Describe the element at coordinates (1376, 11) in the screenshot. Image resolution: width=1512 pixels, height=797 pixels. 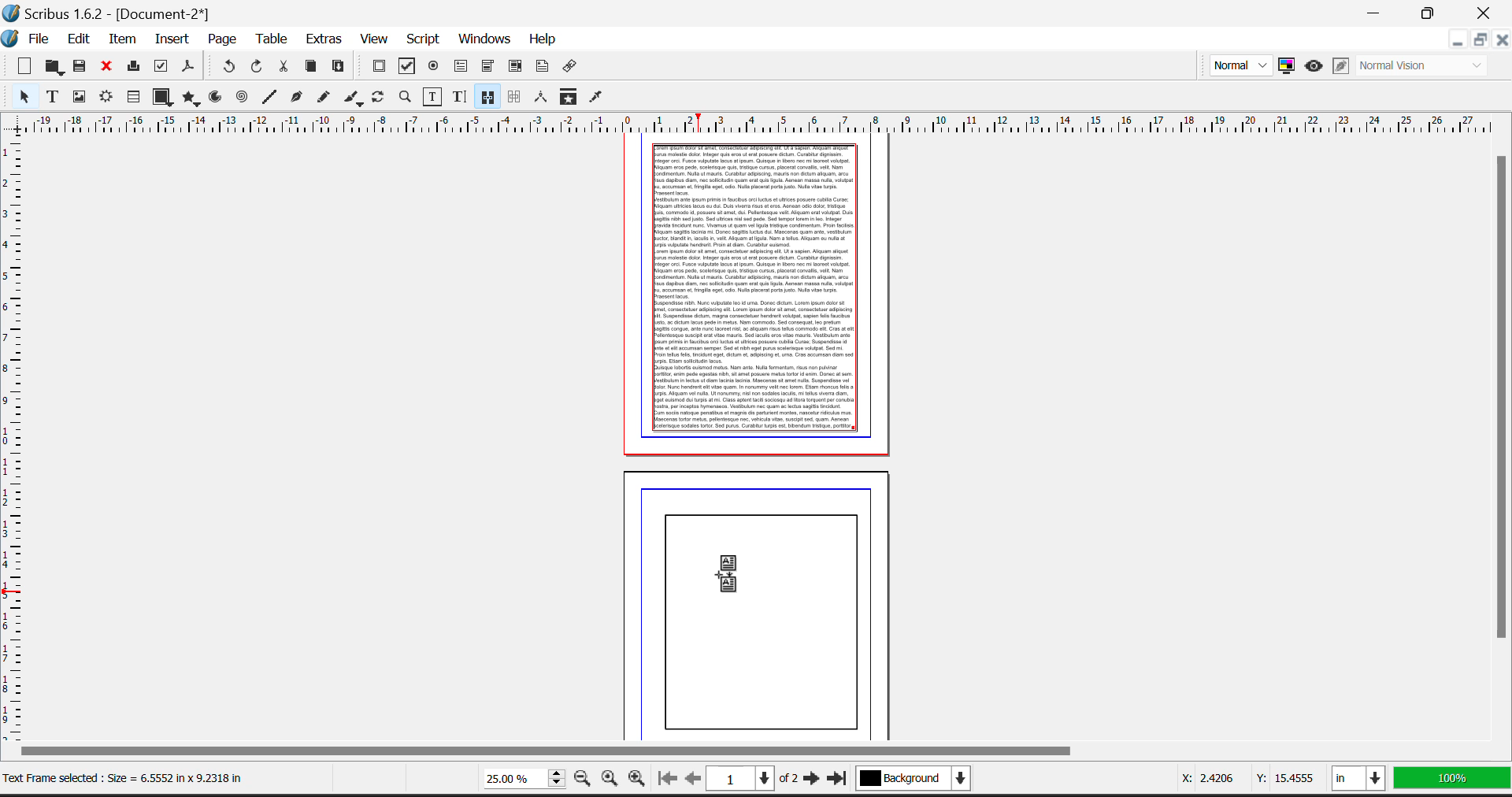
I see `Restore Down` at that location.